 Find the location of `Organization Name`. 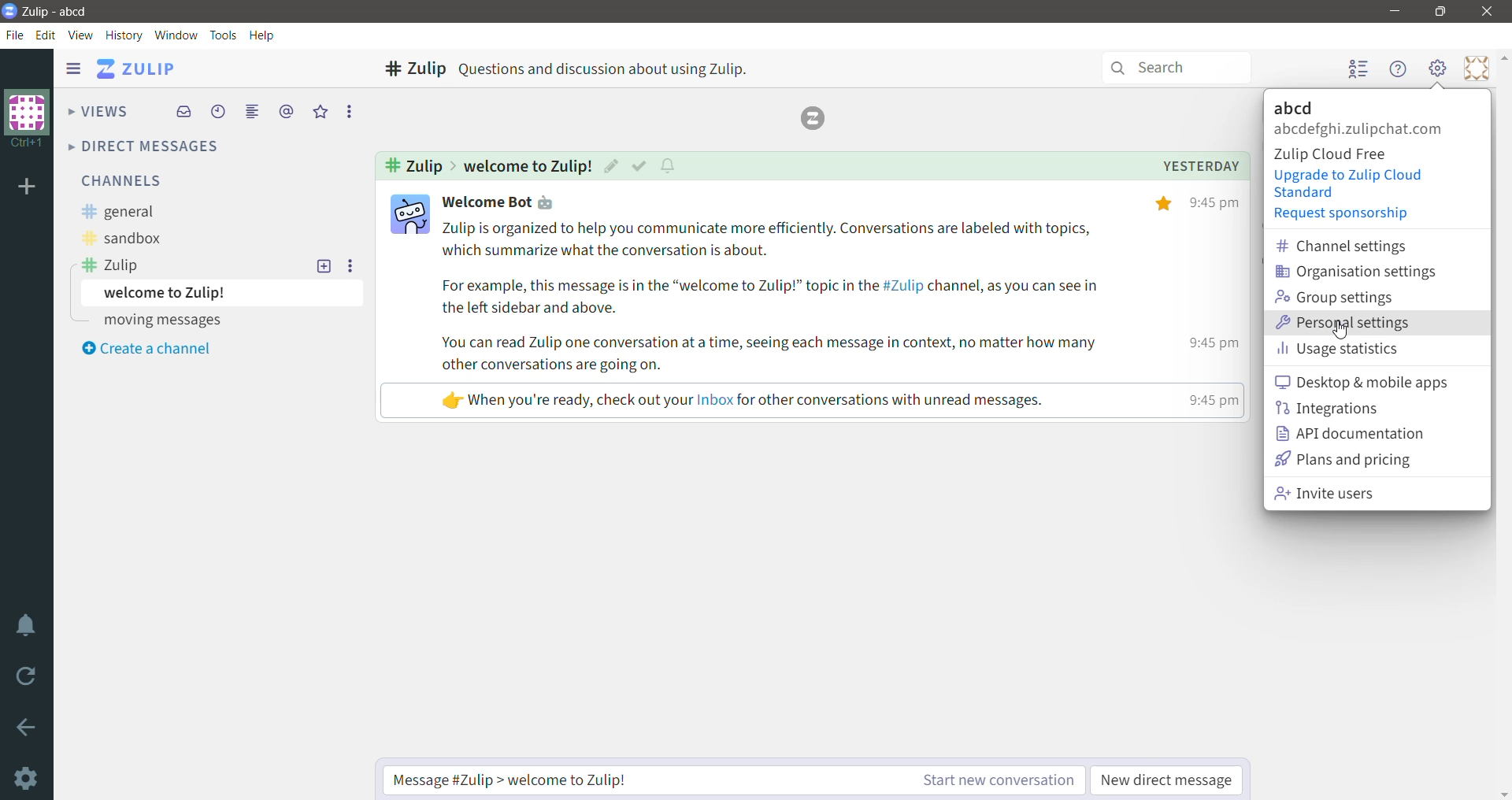

Organization Name is located at coordinates (28, 120).